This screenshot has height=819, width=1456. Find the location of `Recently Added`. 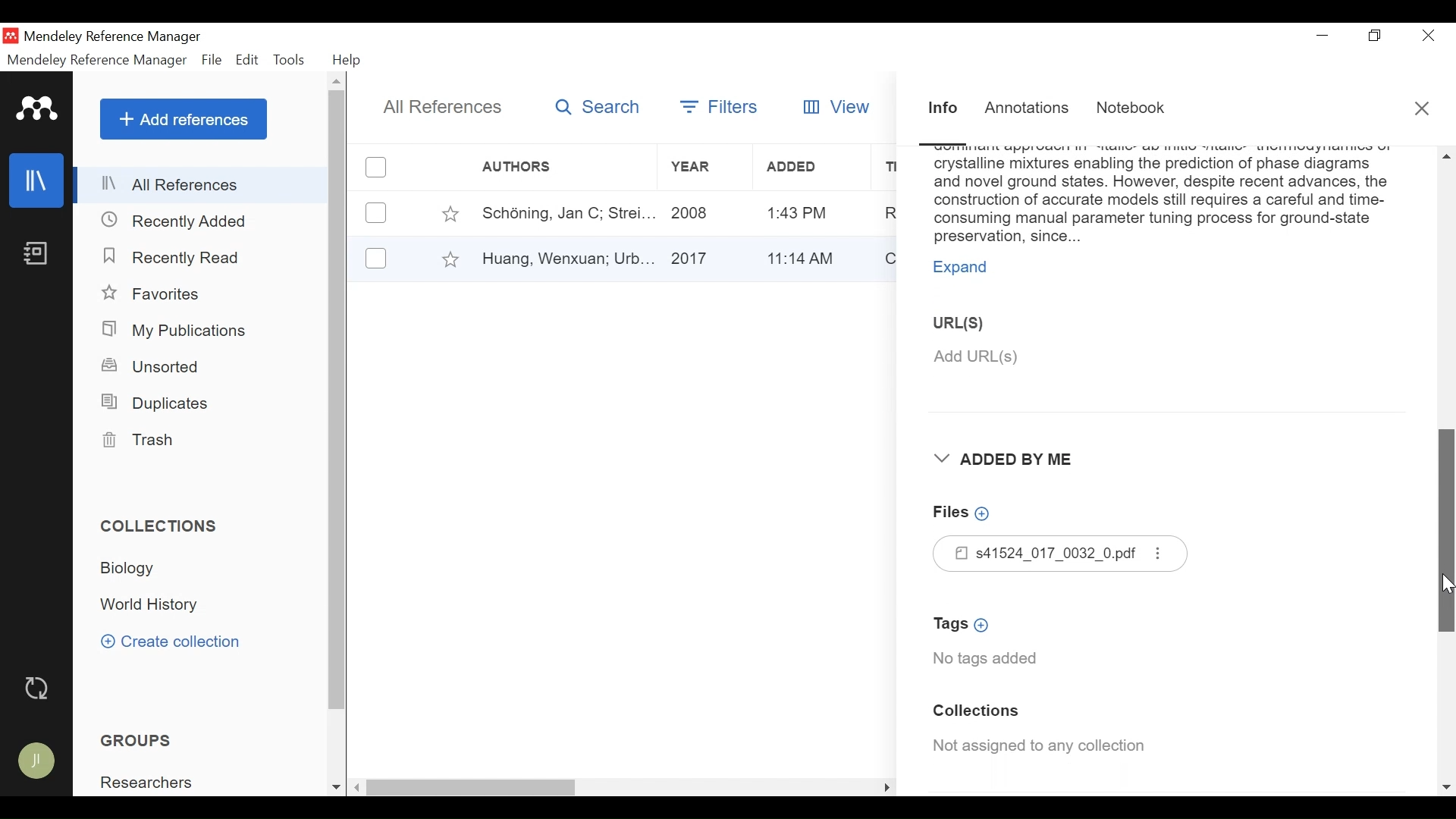

Recently Added is located at coordinates (176, 222).